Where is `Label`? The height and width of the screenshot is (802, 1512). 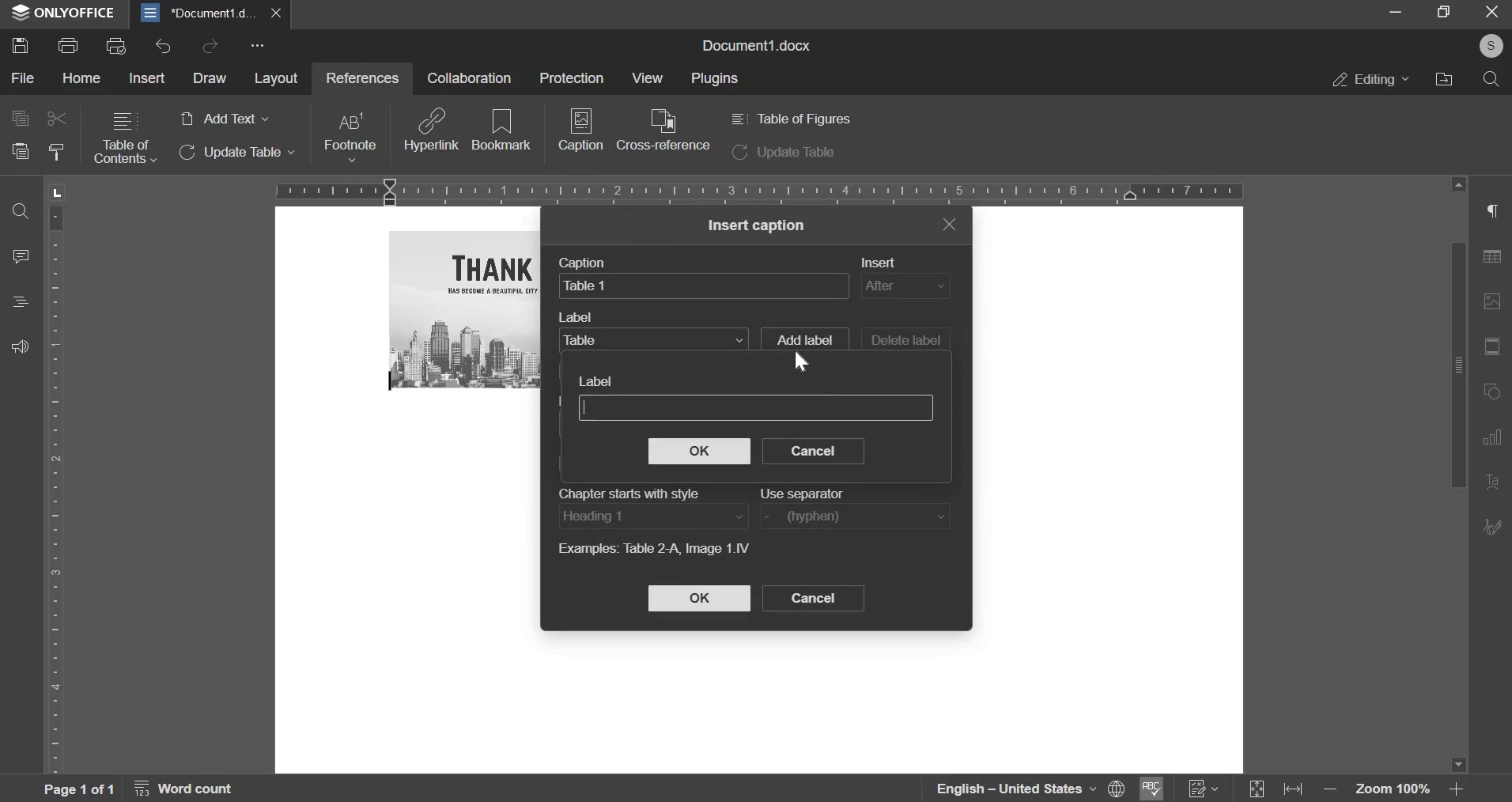
Label is located at coordinates (576, 316).